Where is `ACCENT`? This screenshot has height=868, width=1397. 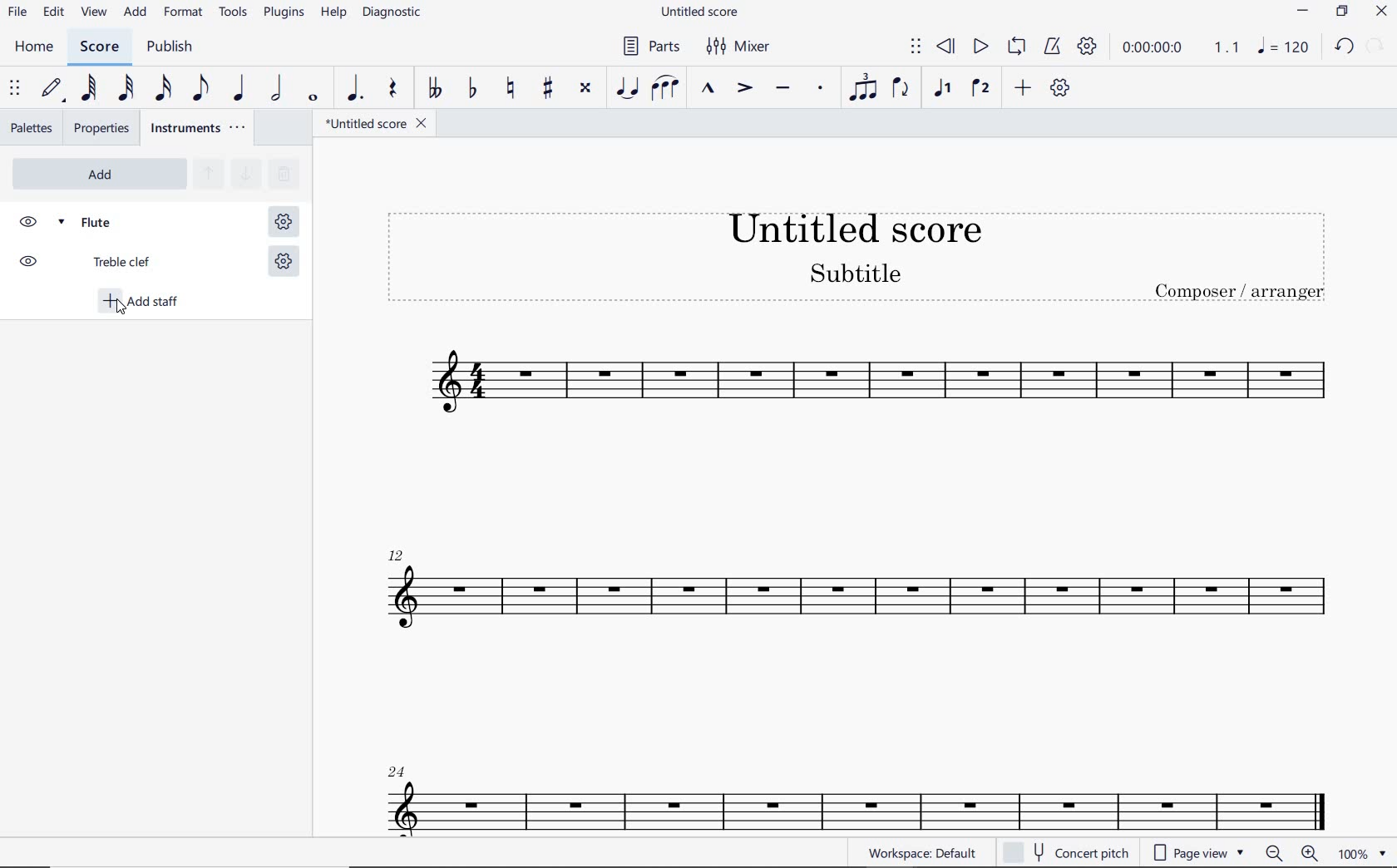
ACCENT is located at coordinates (743, 89).